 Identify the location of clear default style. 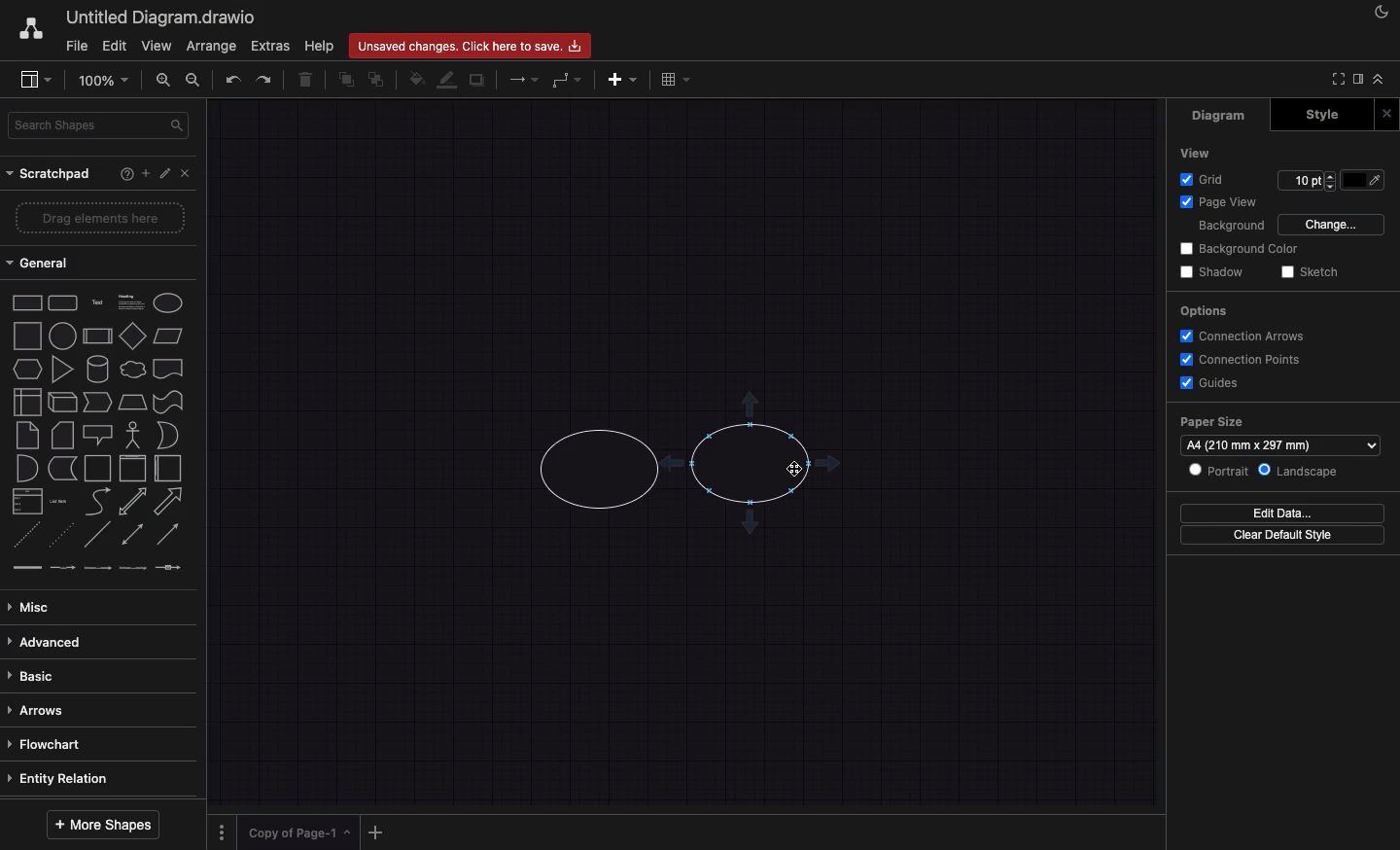
(1282, 535).